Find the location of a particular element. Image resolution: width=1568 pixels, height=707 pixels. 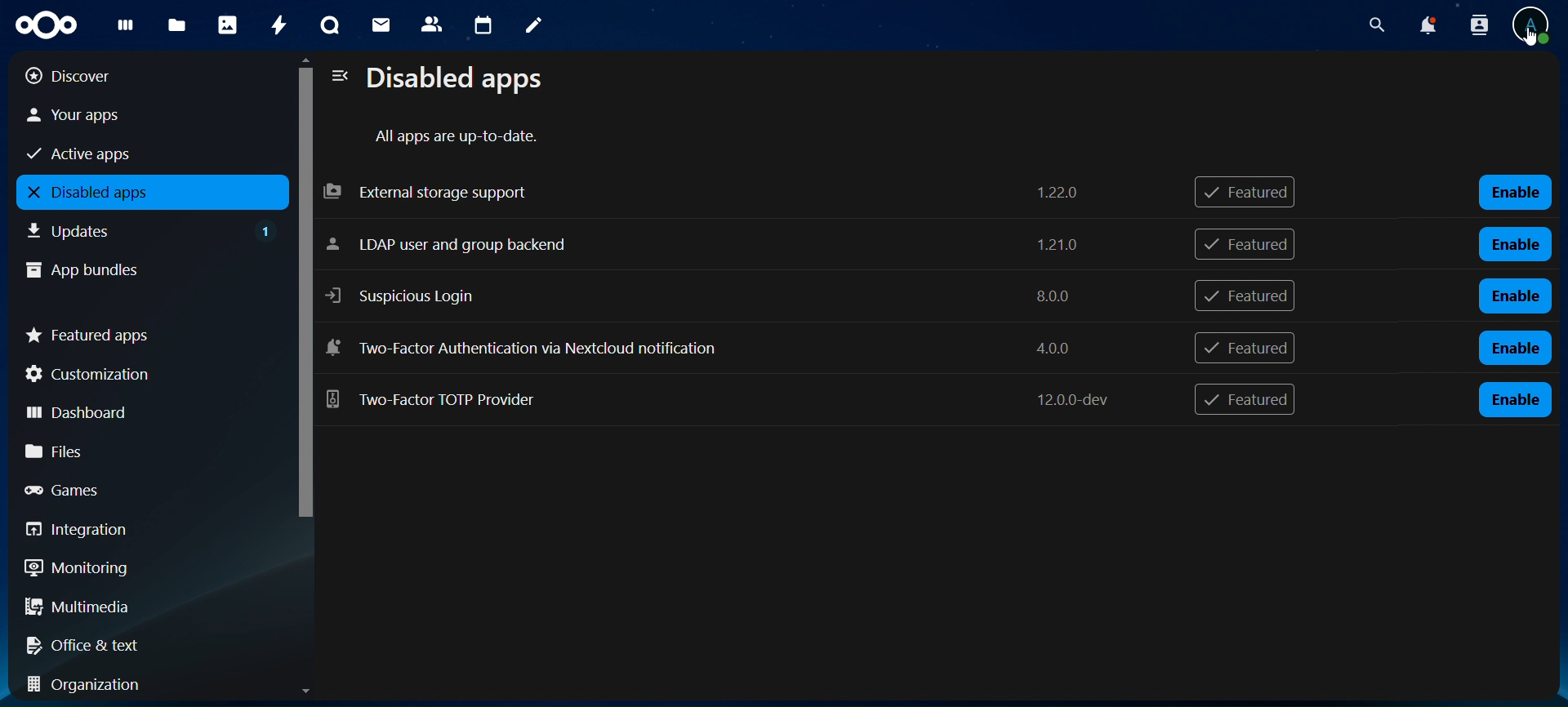

disabled apps is located at coordinates (148, 193).